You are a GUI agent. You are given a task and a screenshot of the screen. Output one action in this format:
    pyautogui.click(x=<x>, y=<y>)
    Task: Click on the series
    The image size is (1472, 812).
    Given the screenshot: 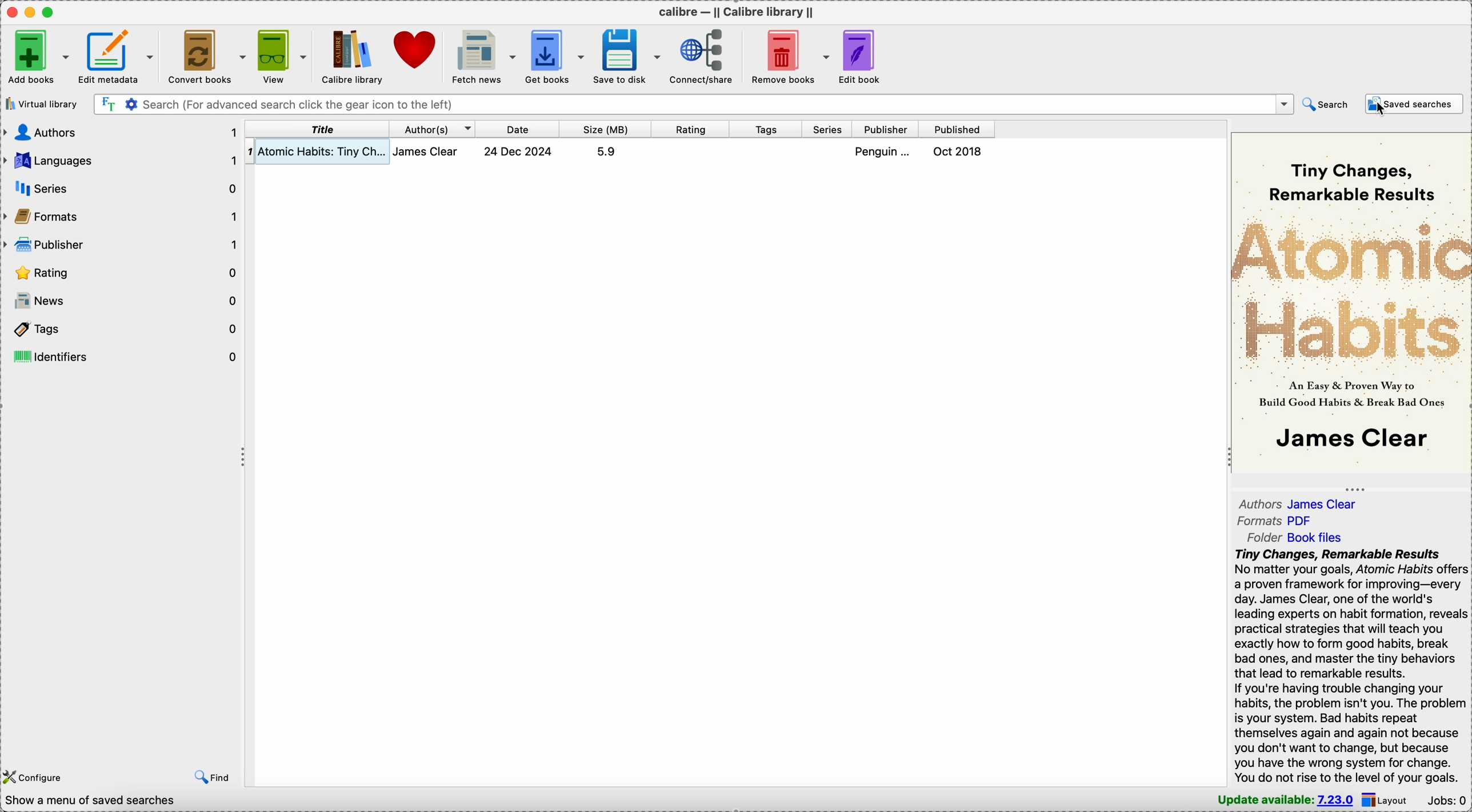 What is the action you would take?
    pyautogui.click(x=127, y=188)
    